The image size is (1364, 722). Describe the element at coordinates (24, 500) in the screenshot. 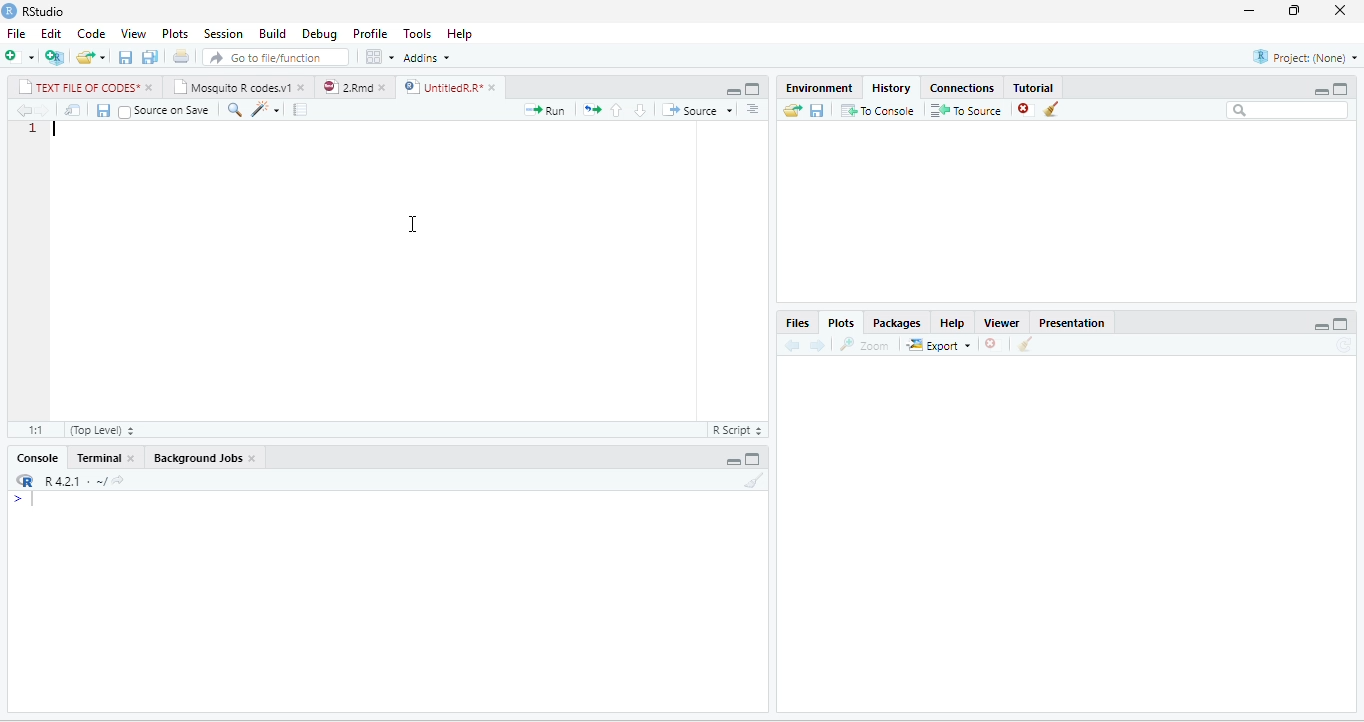

I see `>` at that location.